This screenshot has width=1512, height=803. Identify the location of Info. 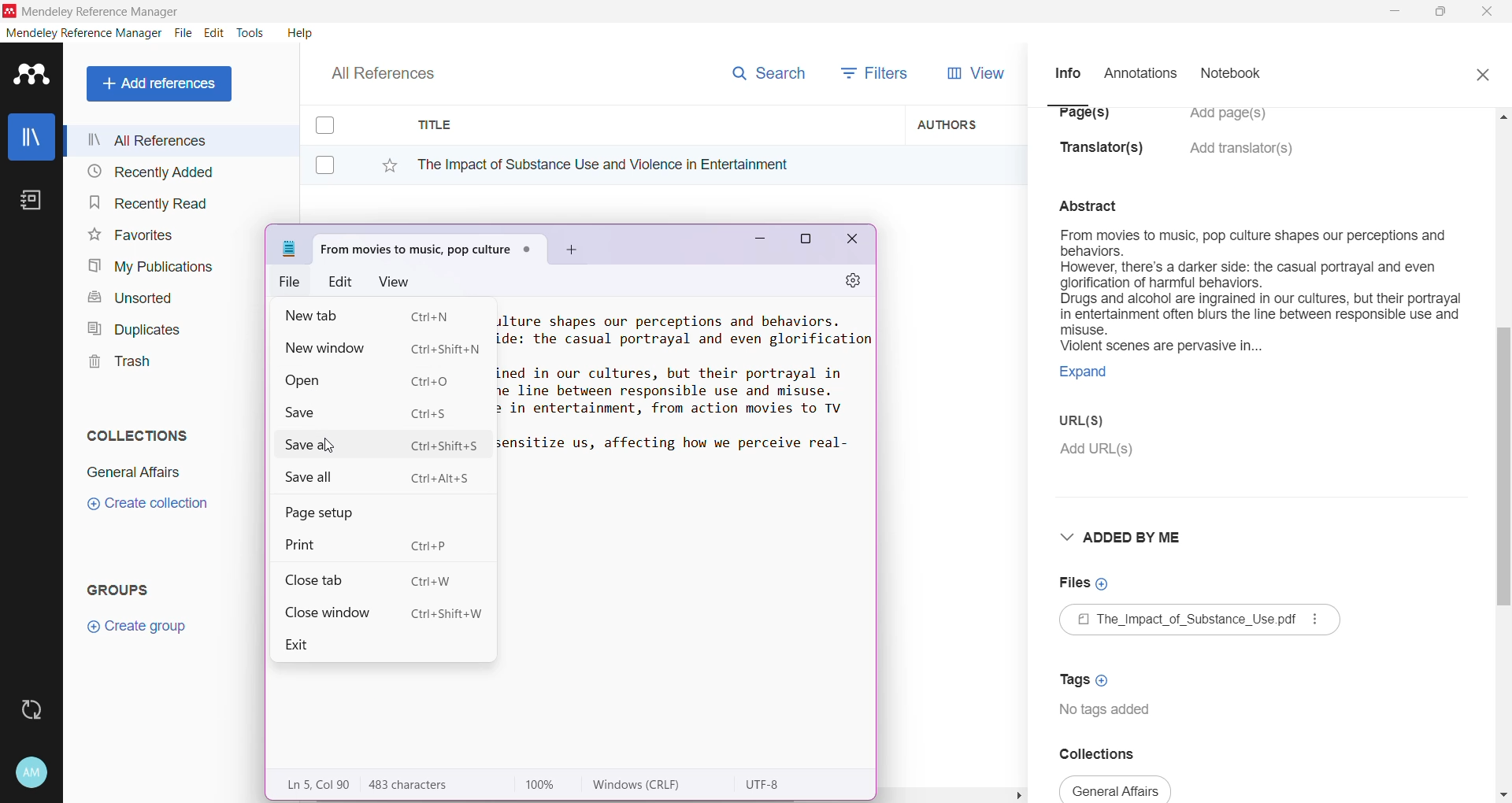
(1067, 72).